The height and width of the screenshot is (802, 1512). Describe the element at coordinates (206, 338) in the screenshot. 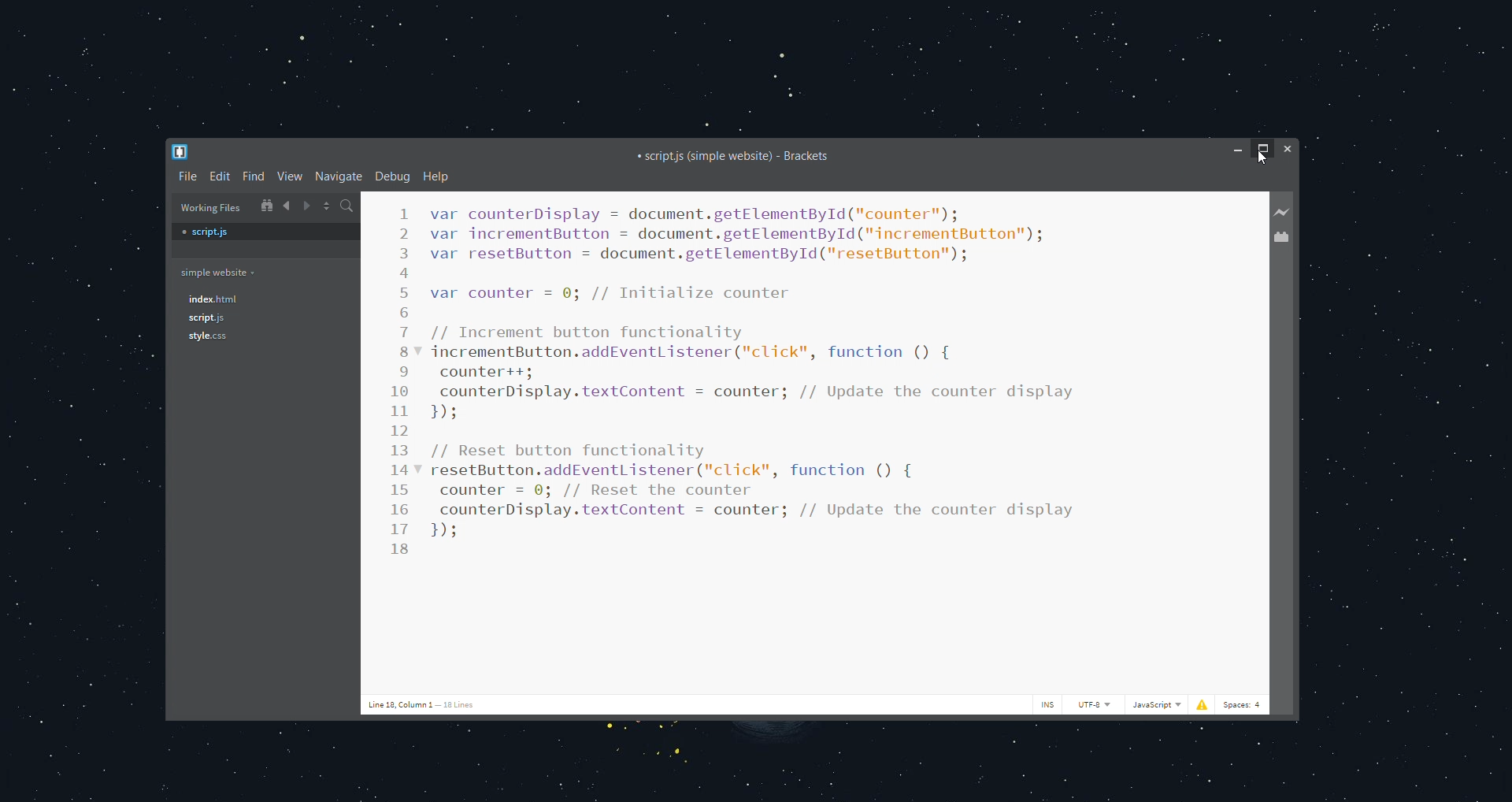

I see `style.css` at that location.